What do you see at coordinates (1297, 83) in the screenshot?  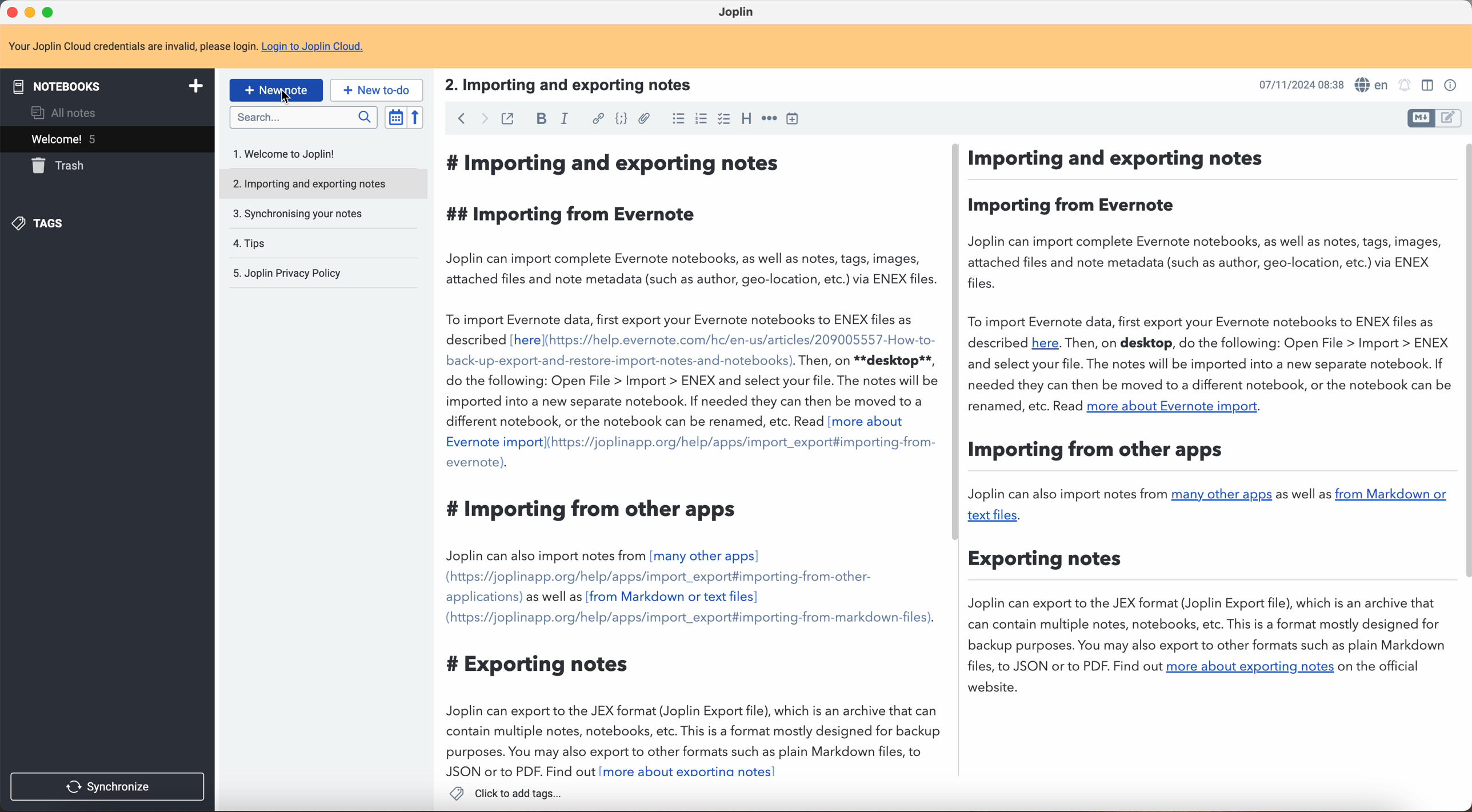 I see `date and hour` at bounding box center [1297, 83].